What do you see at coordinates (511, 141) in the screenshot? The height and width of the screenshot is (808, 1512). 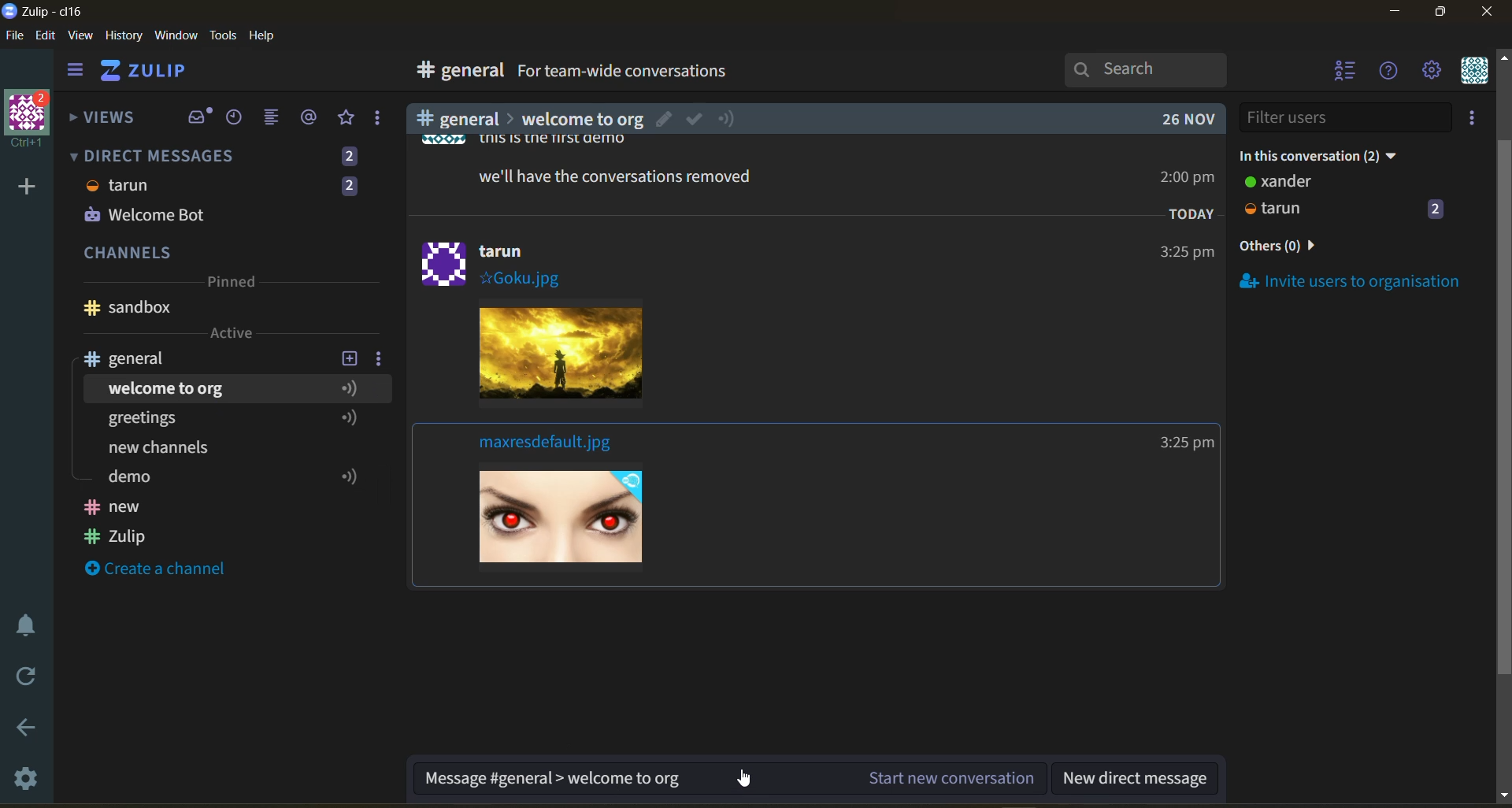 I see `` at bounding box center [511, 141].